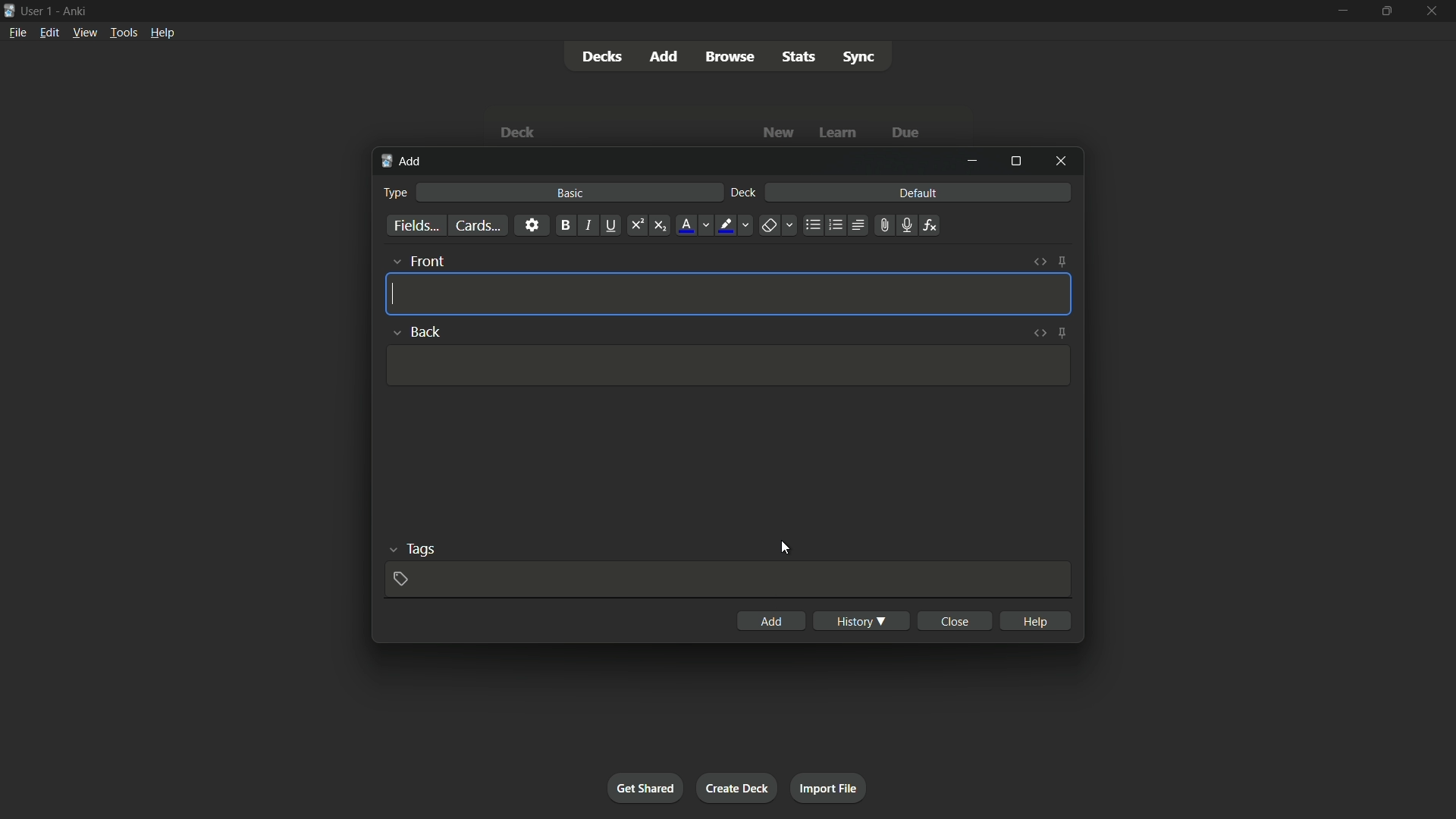  Describe the element at coordinates (477, 226) in the screenshot. I see `cards` at that location.